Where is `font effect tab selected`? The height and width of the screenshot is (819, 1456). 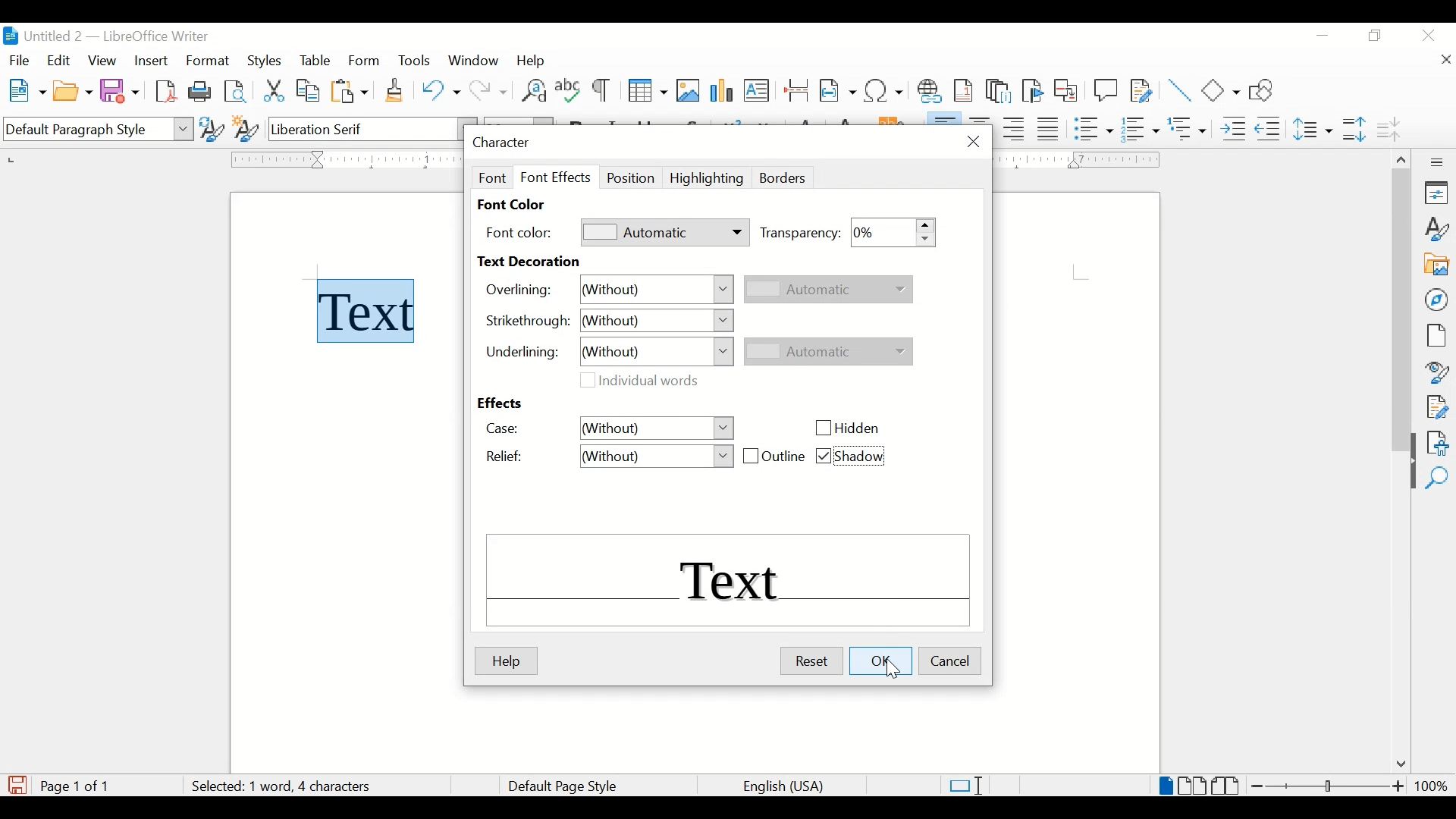
font effect tab selected is located at coordinates (555, 177).